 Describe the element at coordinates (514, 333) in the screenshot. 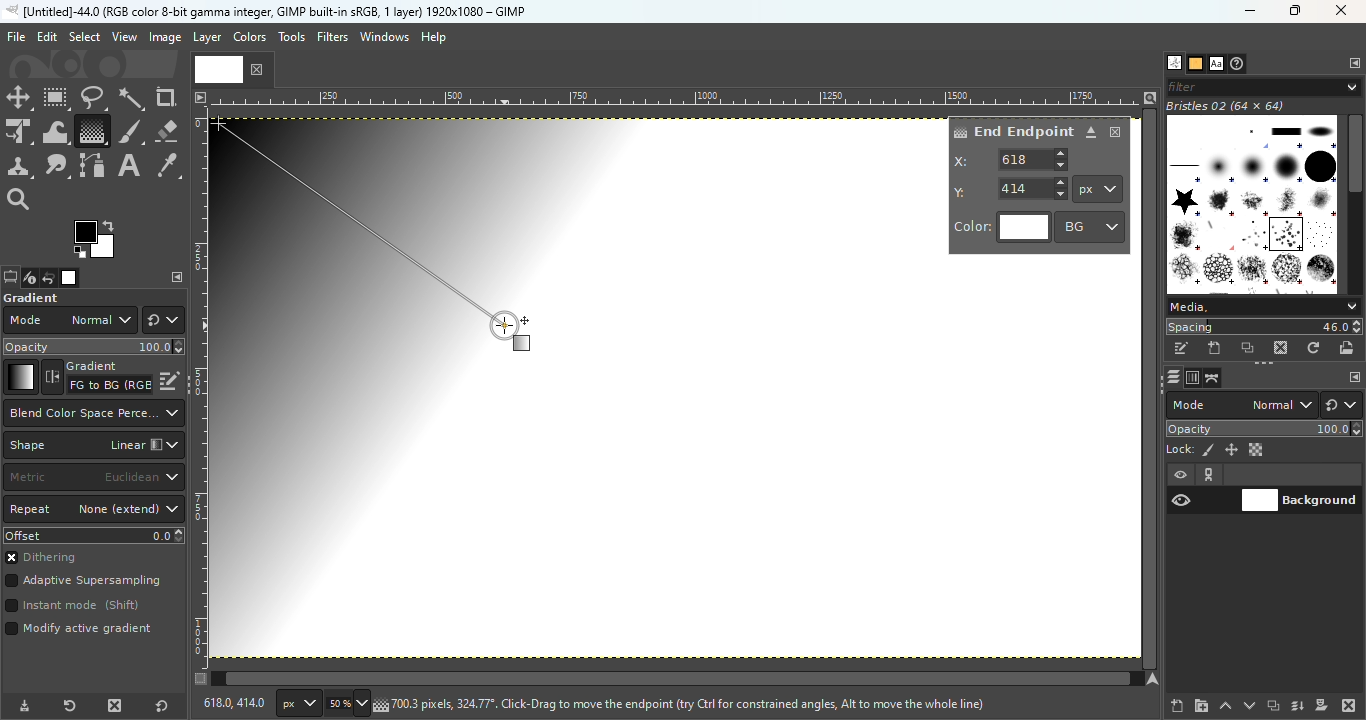

I see `Cursor` at that location.